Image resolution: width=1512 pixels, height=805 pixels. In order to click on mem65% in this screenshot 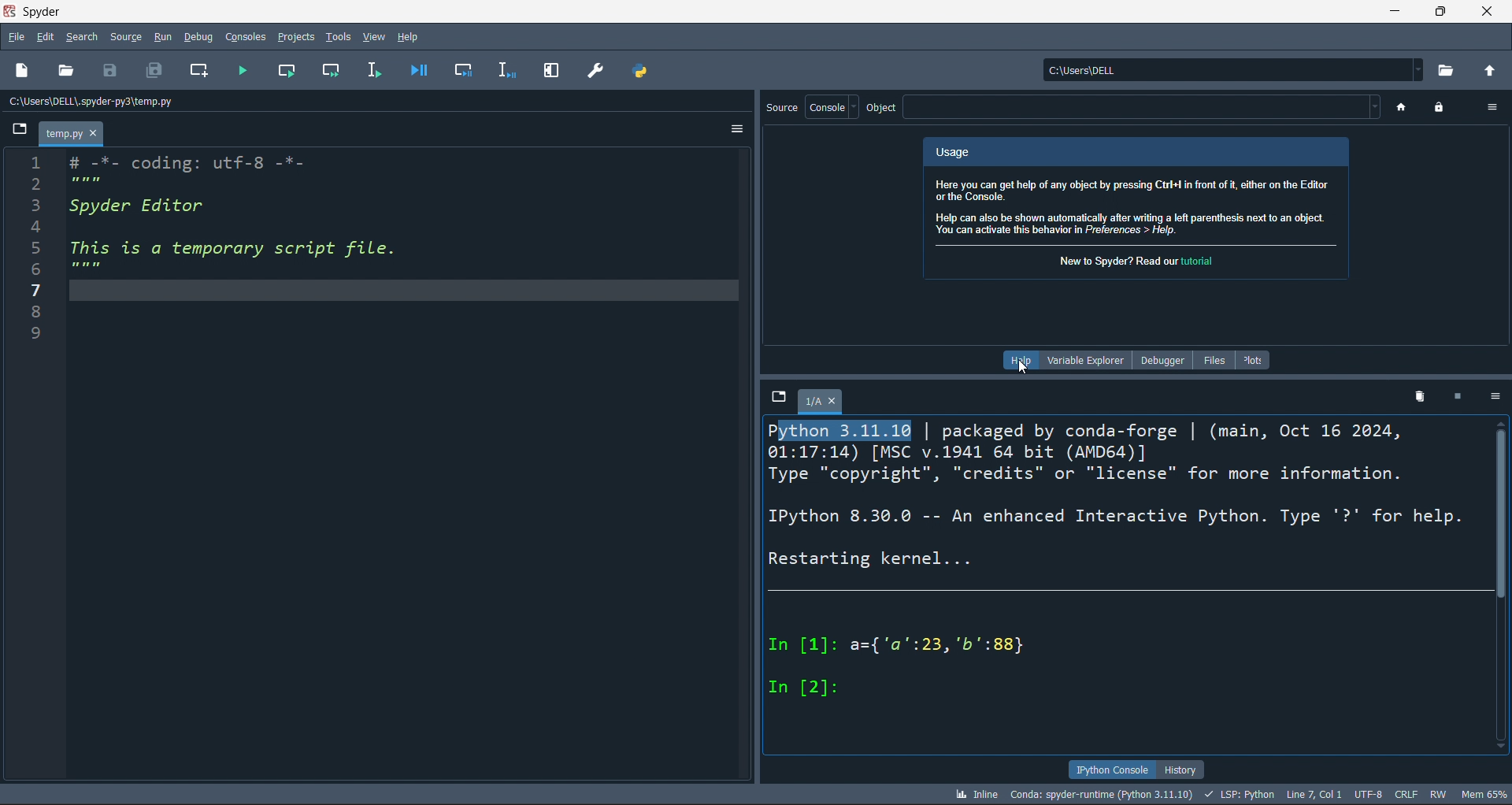, I will do `click(1482, 796)`.